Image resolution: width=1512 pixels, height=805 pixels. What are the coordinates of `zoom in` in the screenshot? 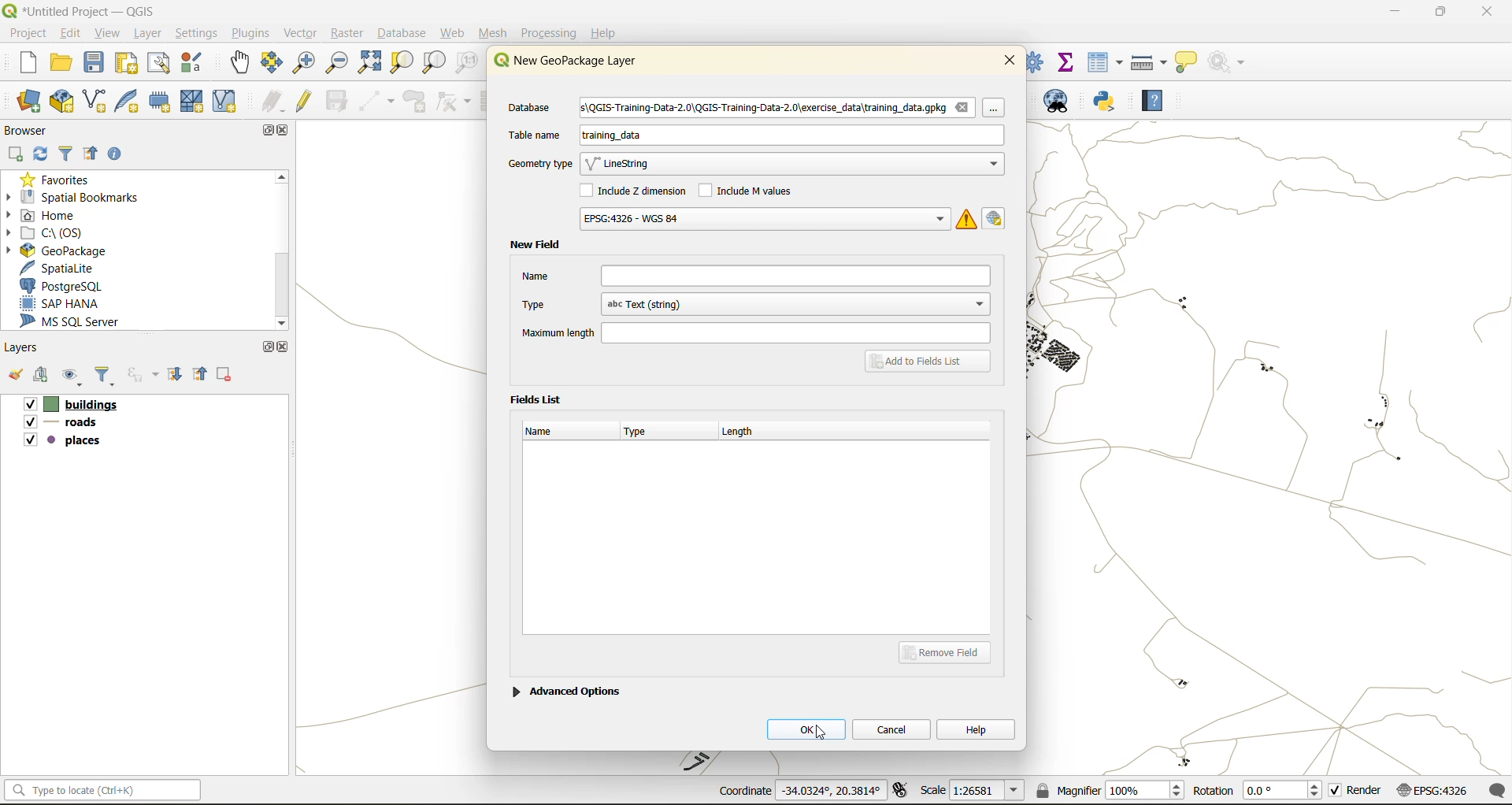 It's located at (302, 61).